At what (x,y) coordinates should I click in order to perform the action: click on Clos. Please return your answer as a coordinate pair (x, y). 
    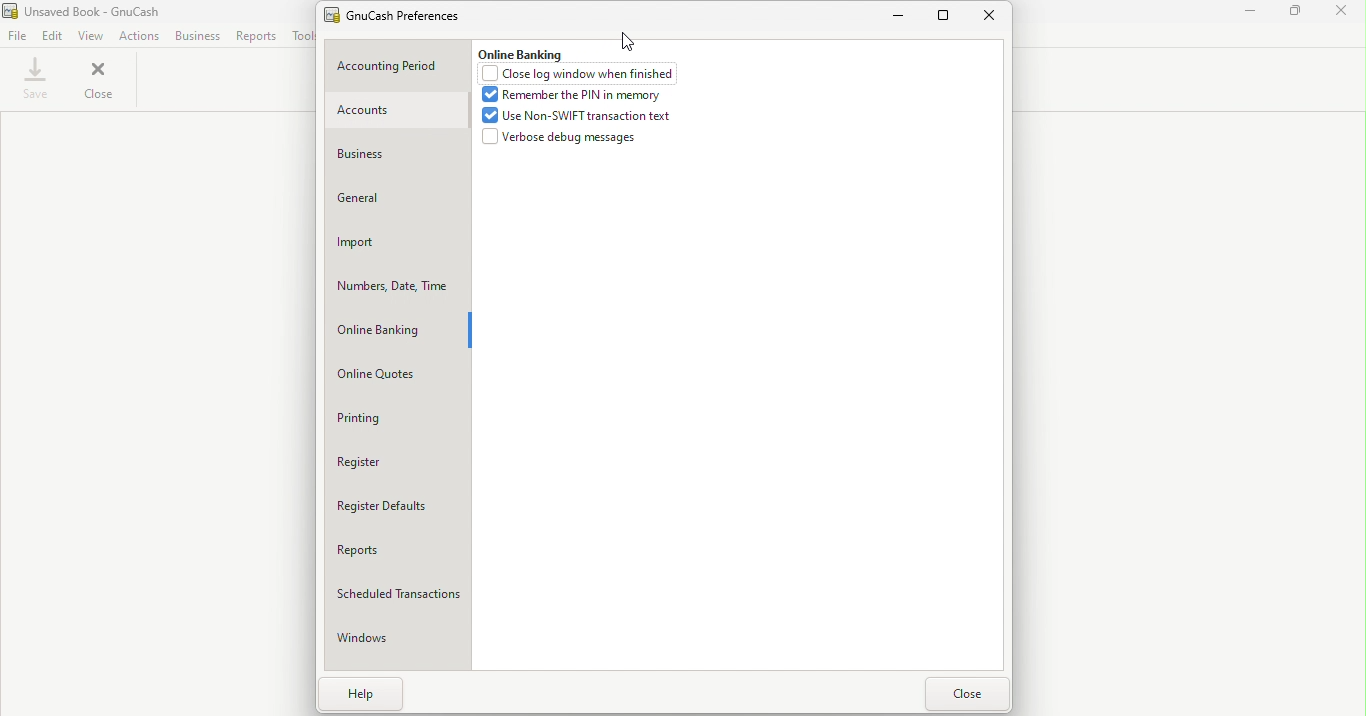
    Looking at the image, I should click on (966, 694).